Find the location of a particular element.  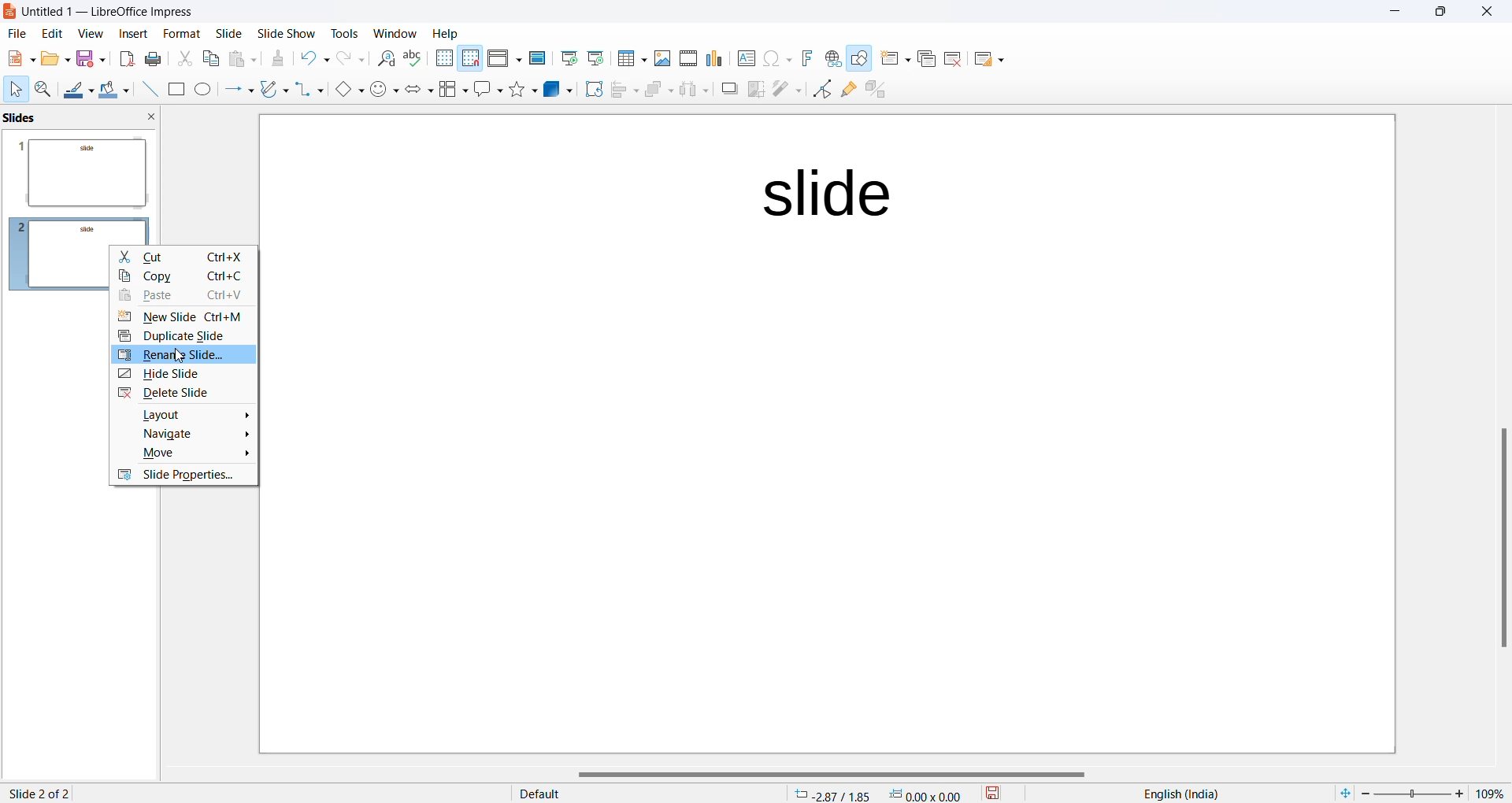

line and arrows is located at coordinates (235, 90).